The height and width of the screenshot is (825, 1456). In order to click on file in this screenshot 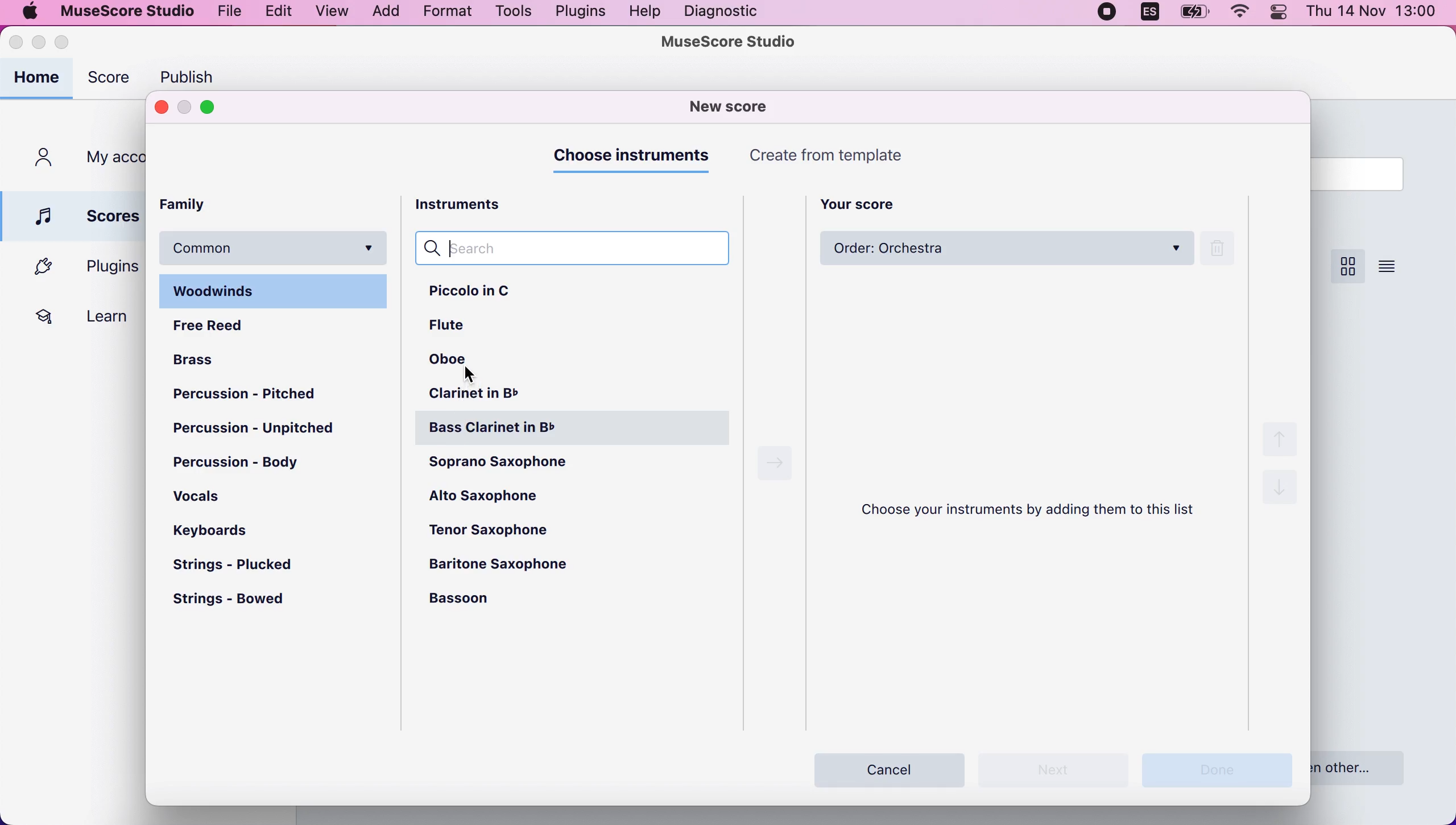, I will do `click(229, 11)`.